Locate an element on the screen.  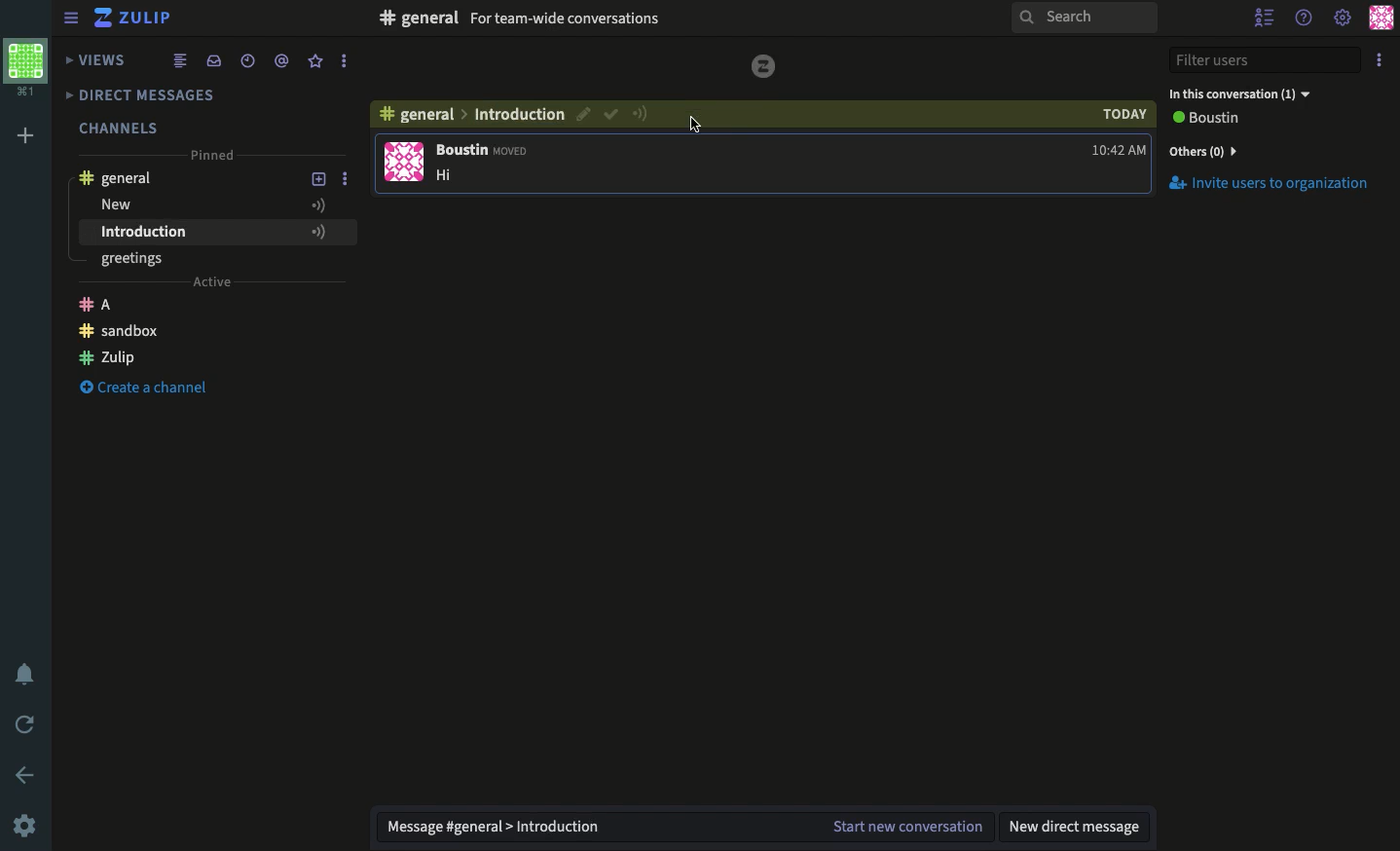
Signal is located at coordinates (641, 114).